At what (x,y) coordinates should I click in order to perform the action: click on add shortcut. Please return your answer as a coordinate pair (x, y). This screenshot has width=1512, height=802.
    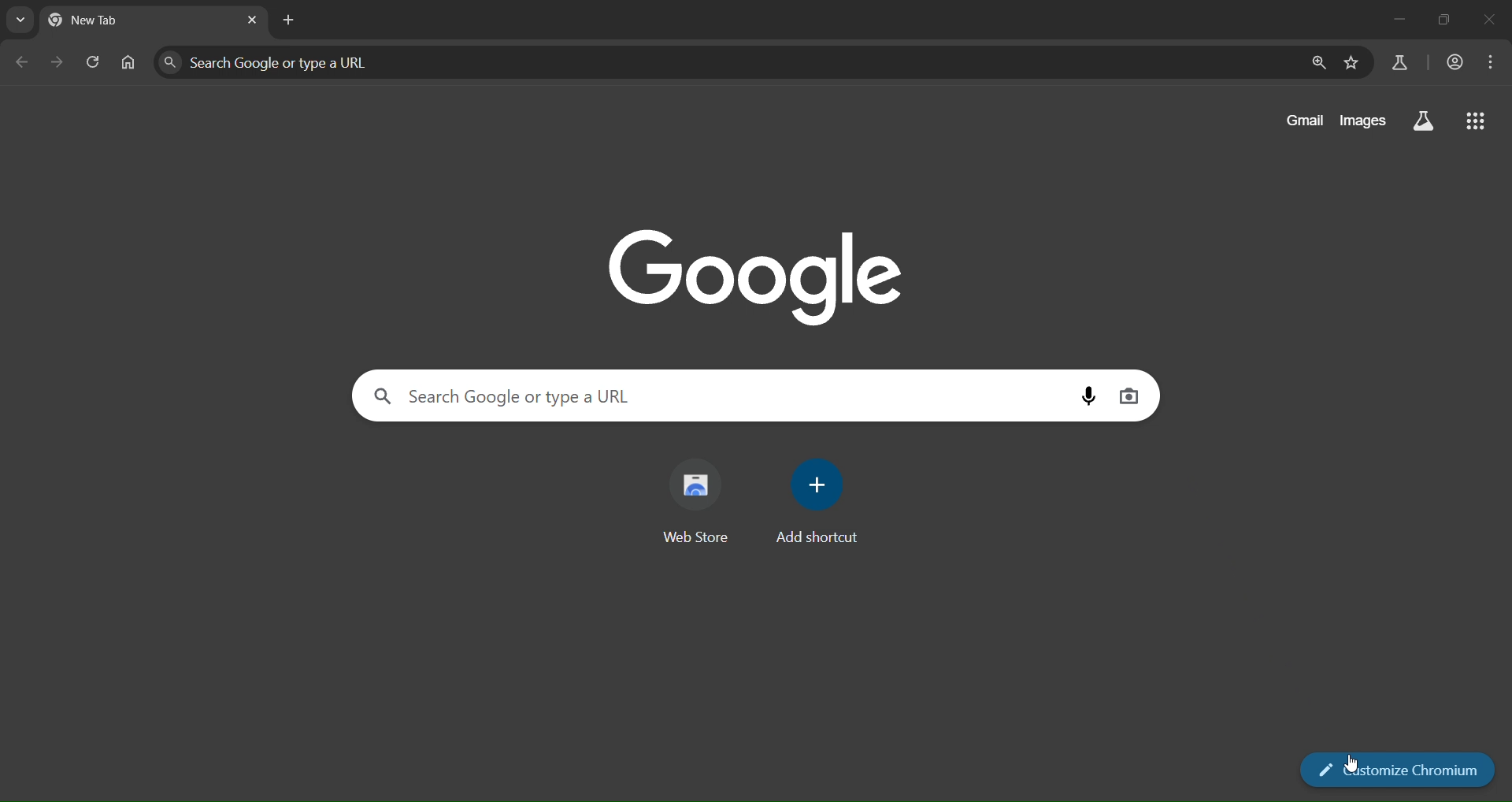
    Looking at the image, I should click on (821, 499).